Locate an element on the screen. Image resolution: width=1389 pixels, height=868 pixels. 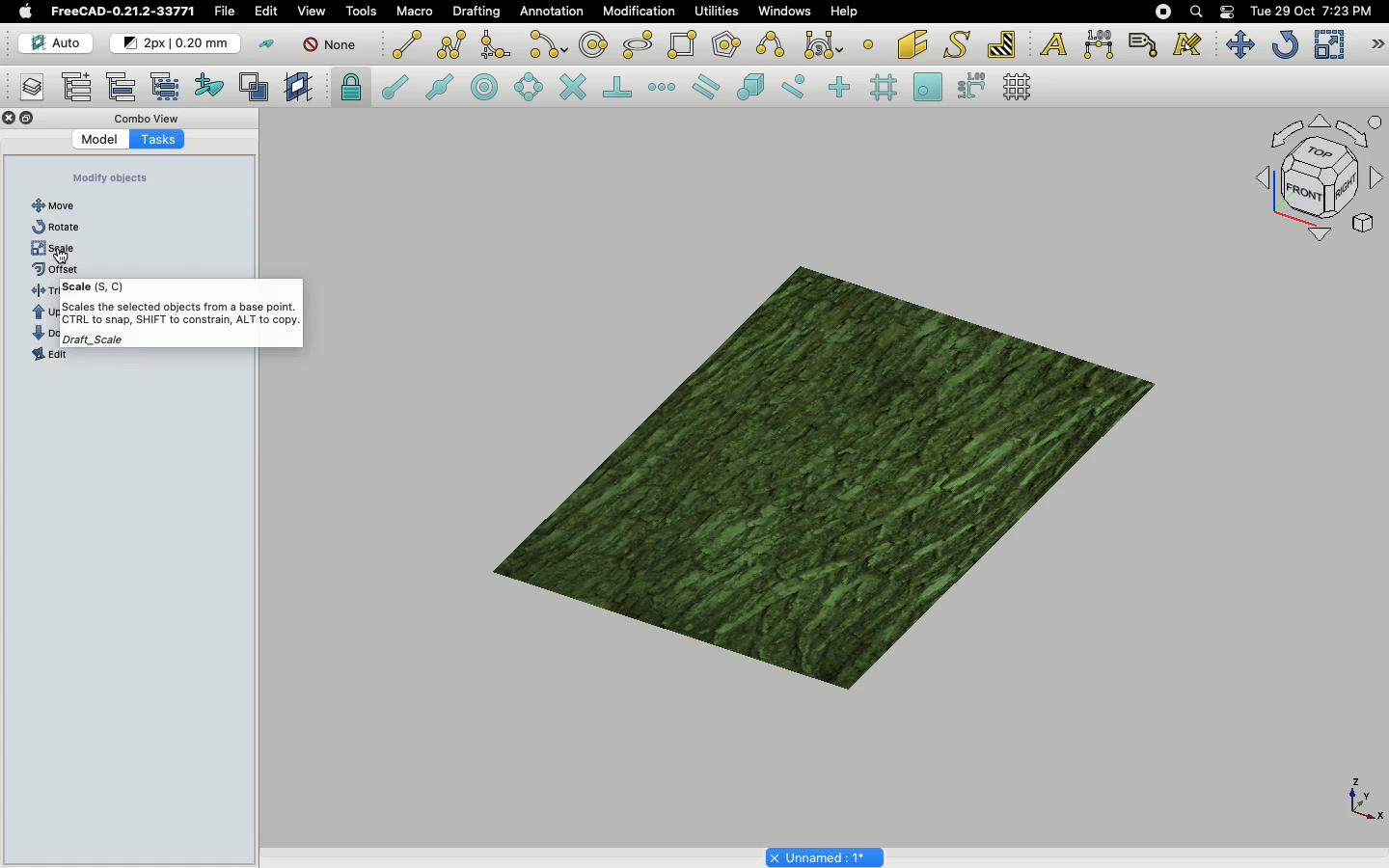
Refresh is located at coordinates (1284, 44).